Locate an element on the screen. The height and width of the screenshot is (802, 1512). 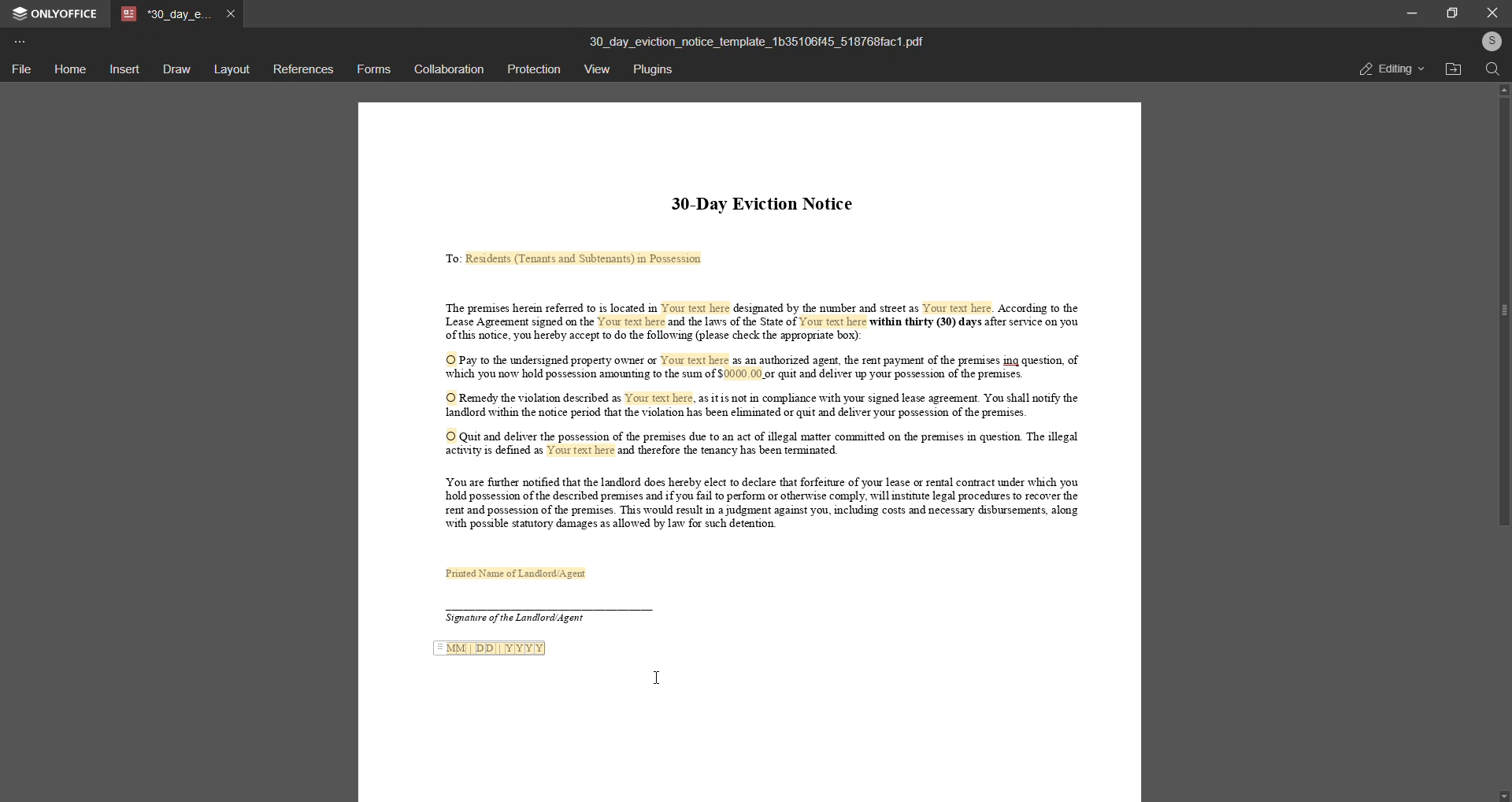
collaboration is located at coordinates (447, 69).